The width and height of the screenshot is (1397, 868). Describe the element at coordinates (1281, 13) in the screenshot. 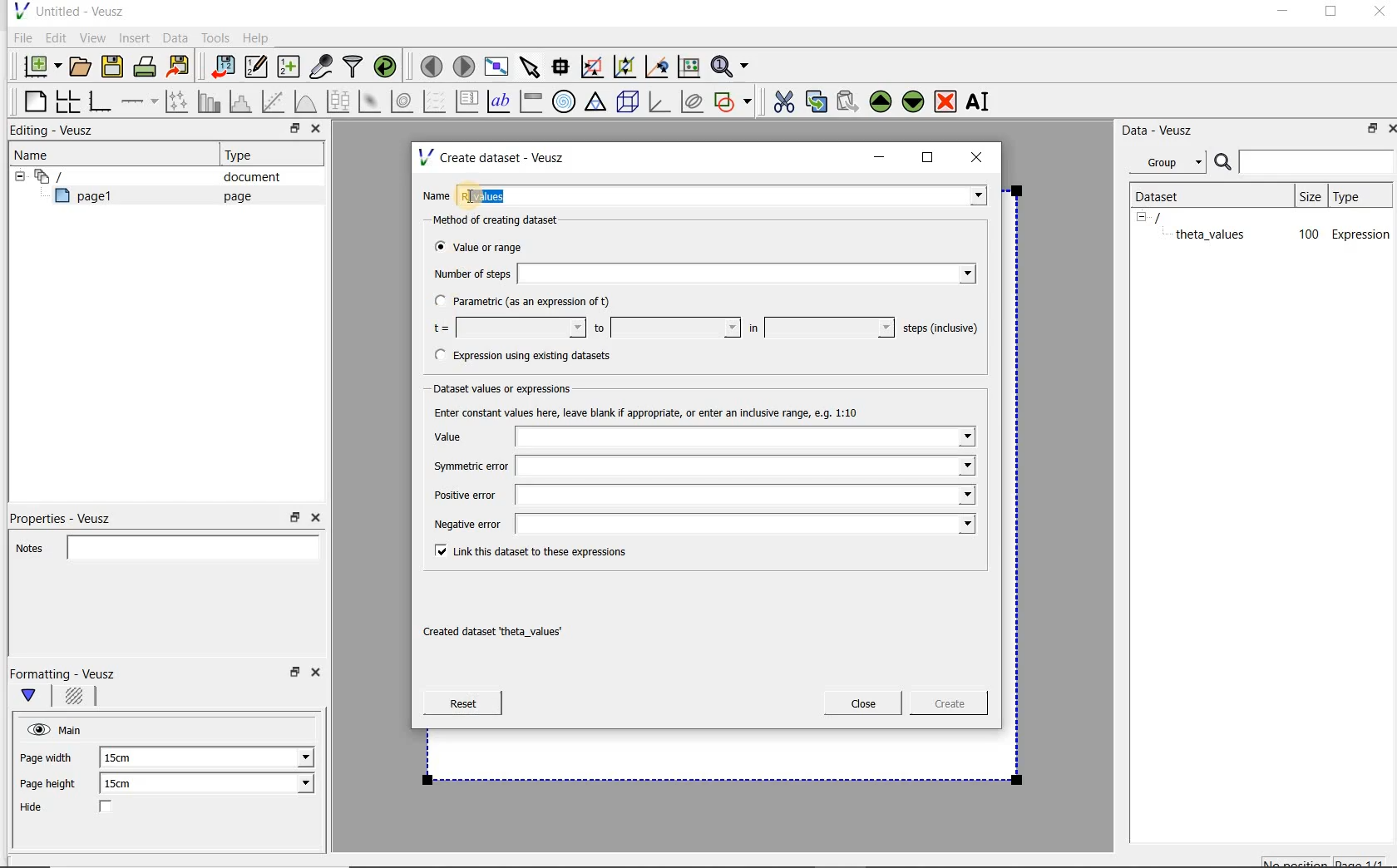

I see `minimize` at that location.